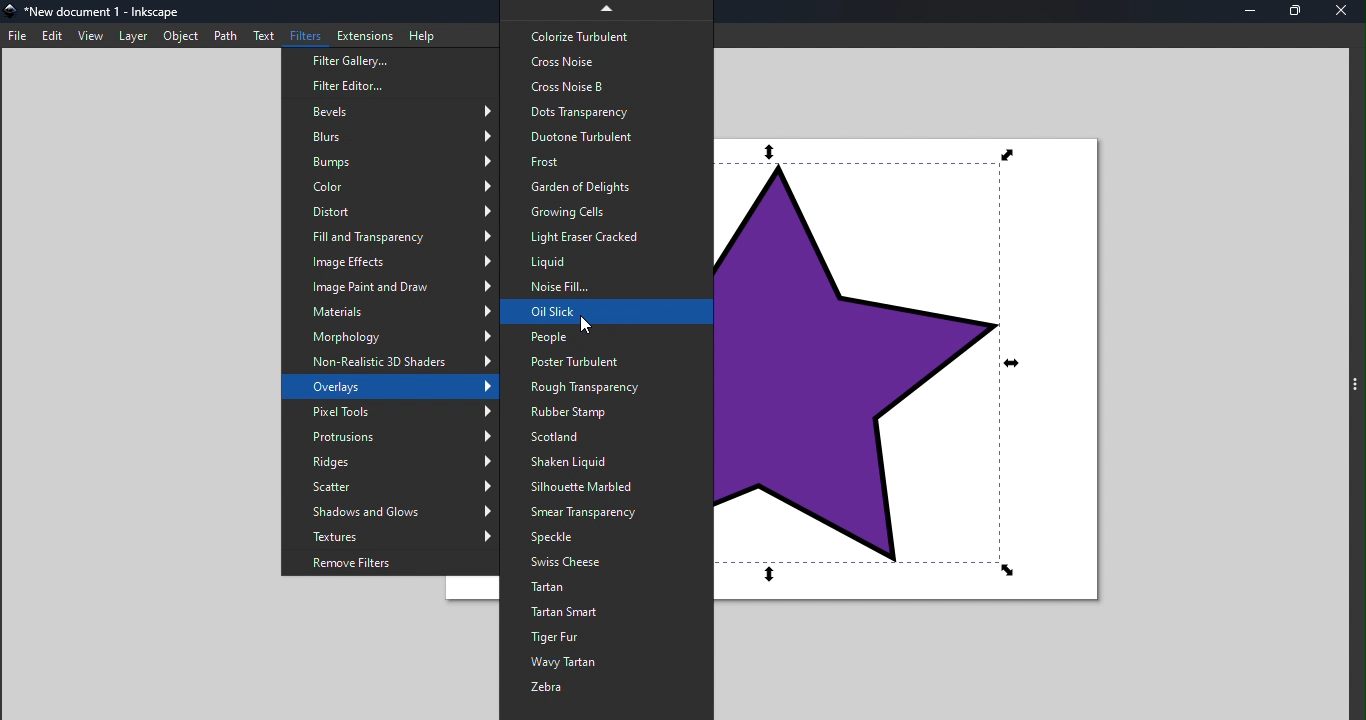 Image resolution: width=1366 pixels, height=720 pixels. What do you see at coordinates (606, 87) in the screenshot?
I see `Cross Noise B` at bounding box center [606, 87].